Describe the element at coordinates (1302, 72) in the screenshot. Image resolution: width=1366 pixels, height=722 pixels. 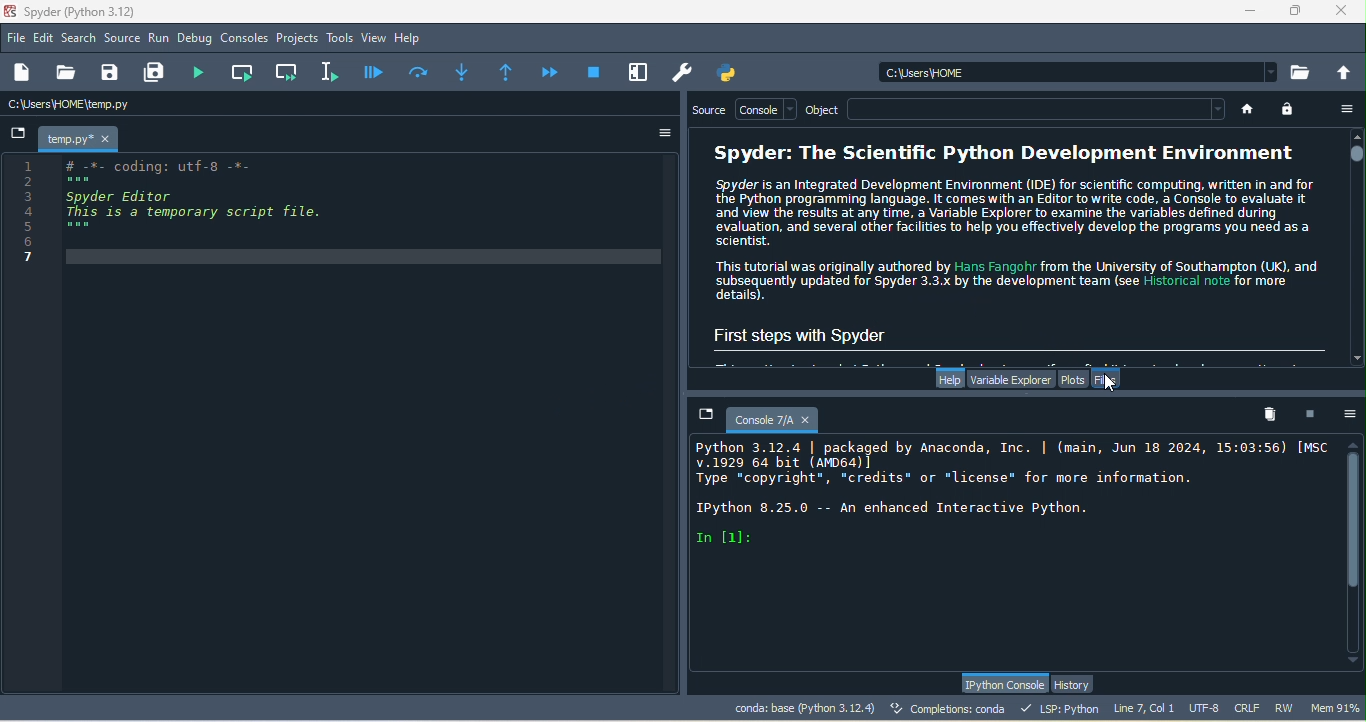
I see `browse` at that location.